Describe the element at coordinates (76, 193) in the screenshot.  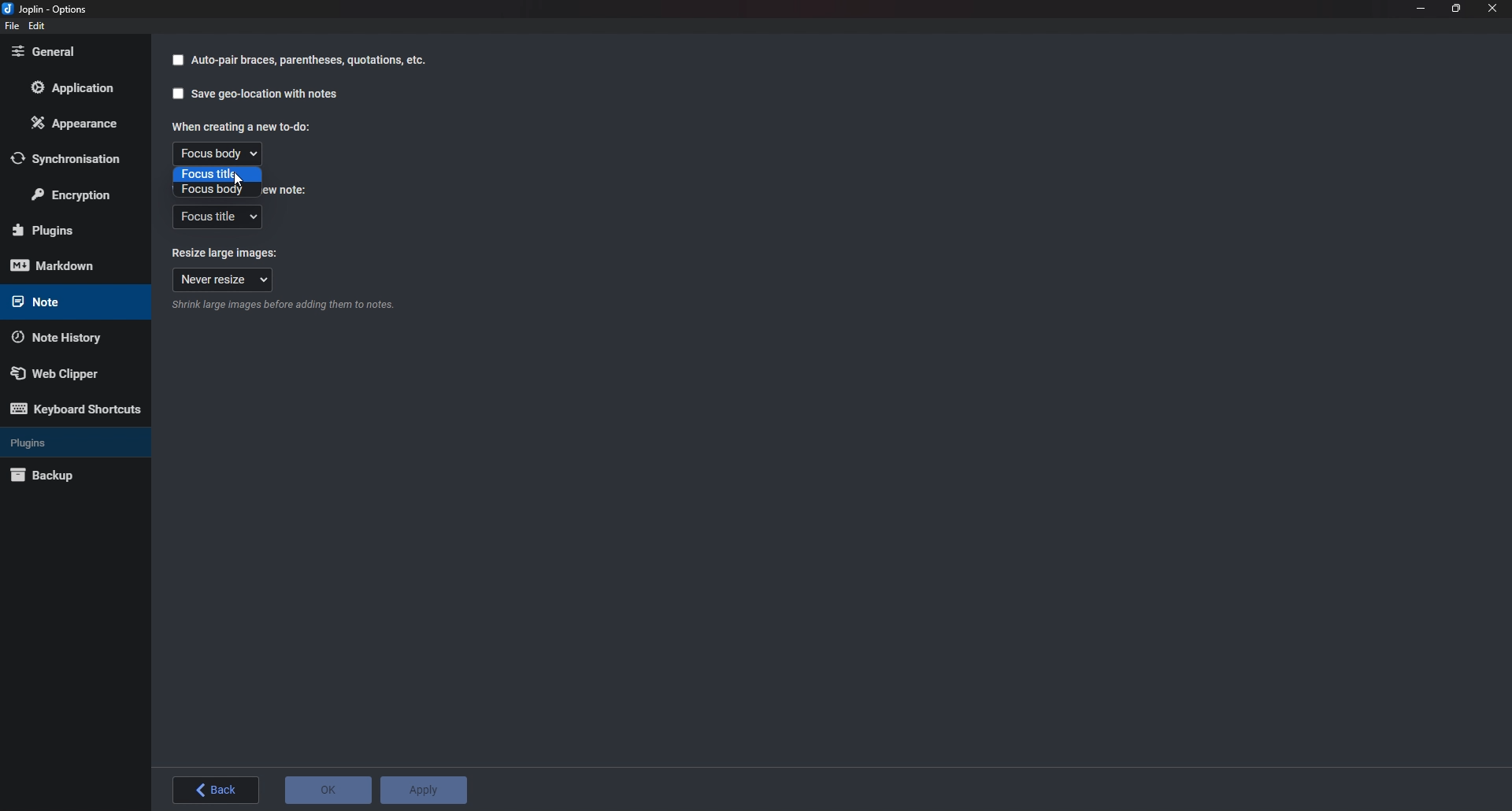
I see `Encryption` at that location.